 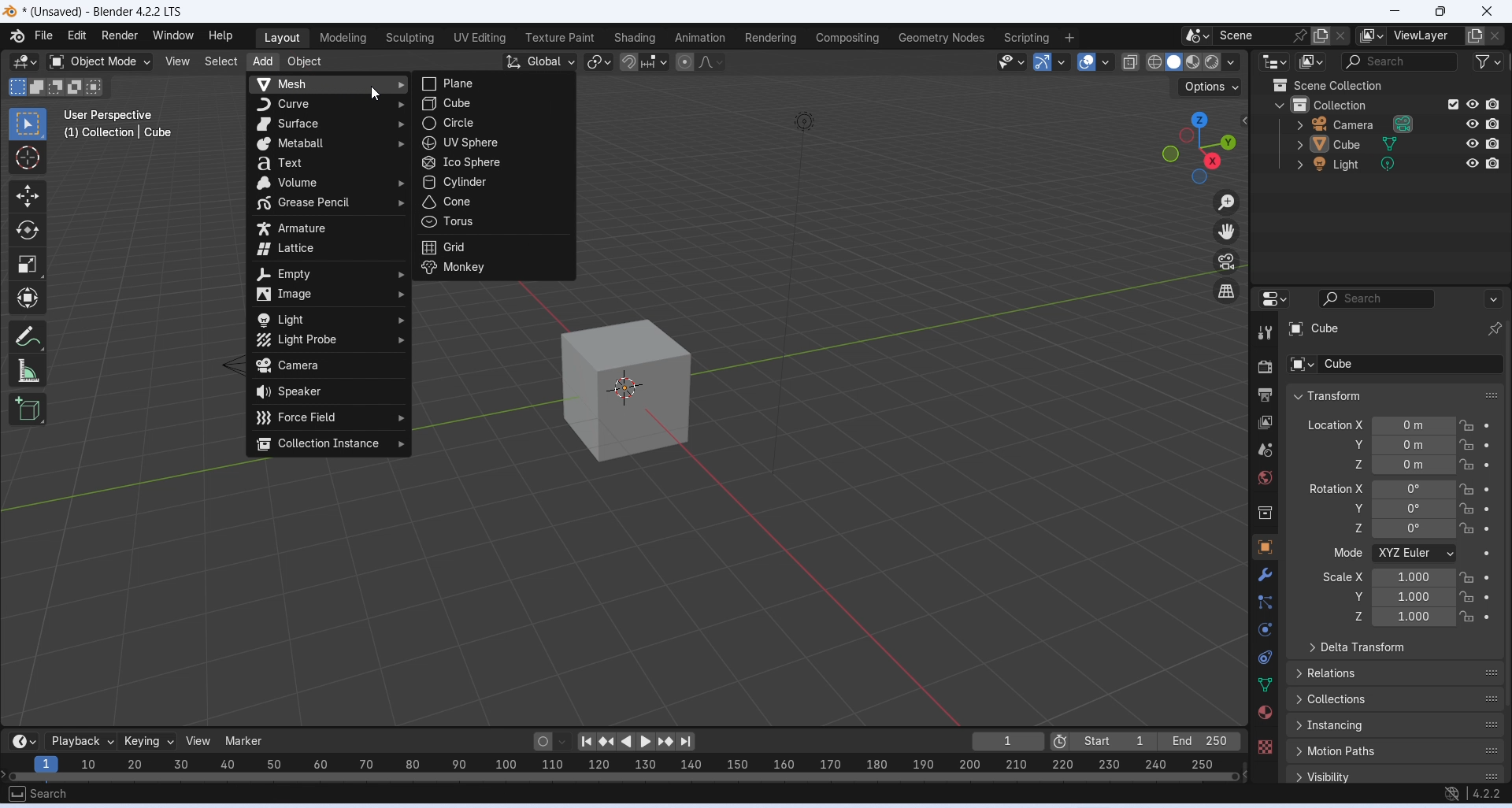 What do you see at coordinates (1414, 490) in the screenshot?
I see `euler rotation` at bounding box center [1414, 490].